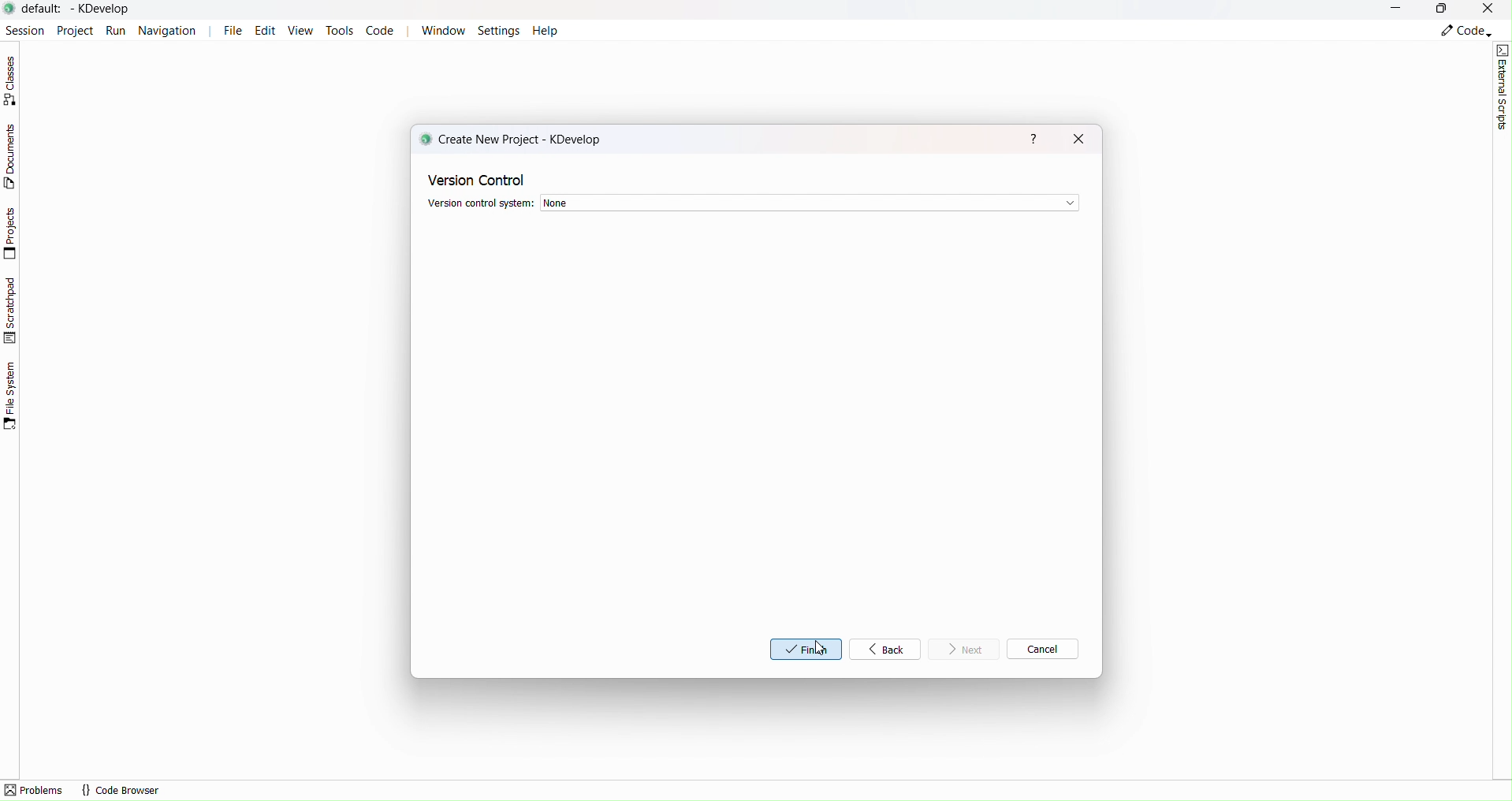 This screenshot has height=801, width=1512. I want to click on file name and application name, so click(80, 9).